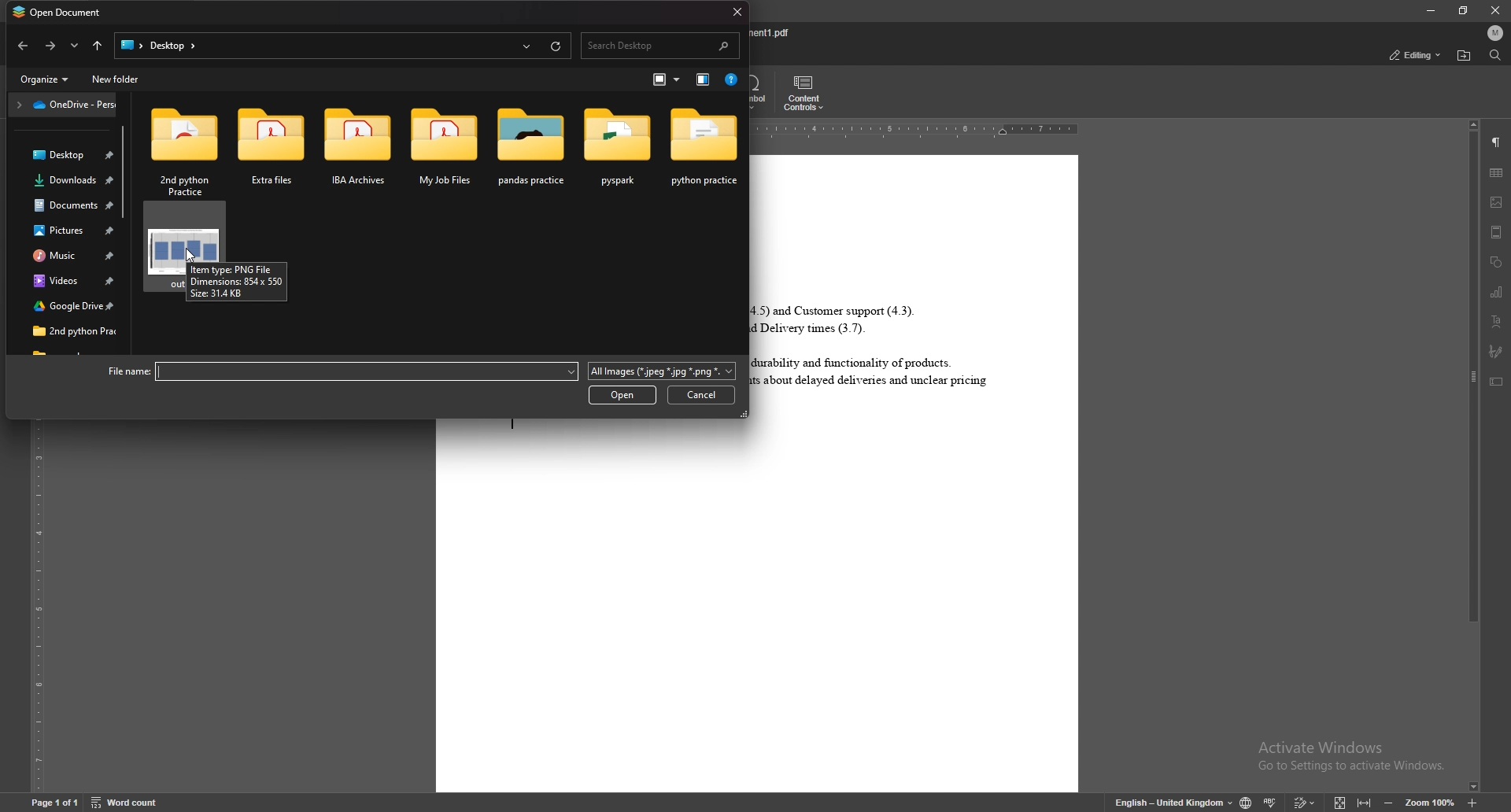  What do you see at coordinates (1465, 11) in the screenshot?
I see `resize` at bounding box center [1465, 11].